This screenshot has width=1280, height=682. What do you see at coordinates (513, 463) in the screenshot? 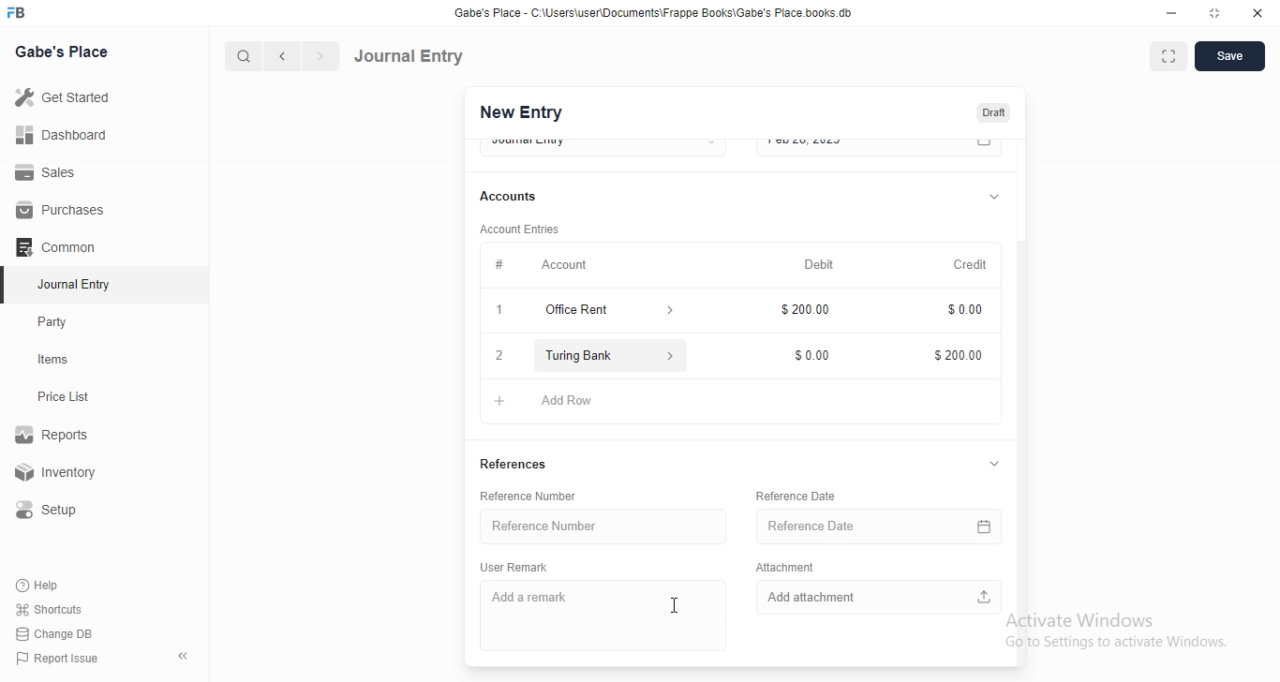
I see `References` at bounding box center [513, 463].